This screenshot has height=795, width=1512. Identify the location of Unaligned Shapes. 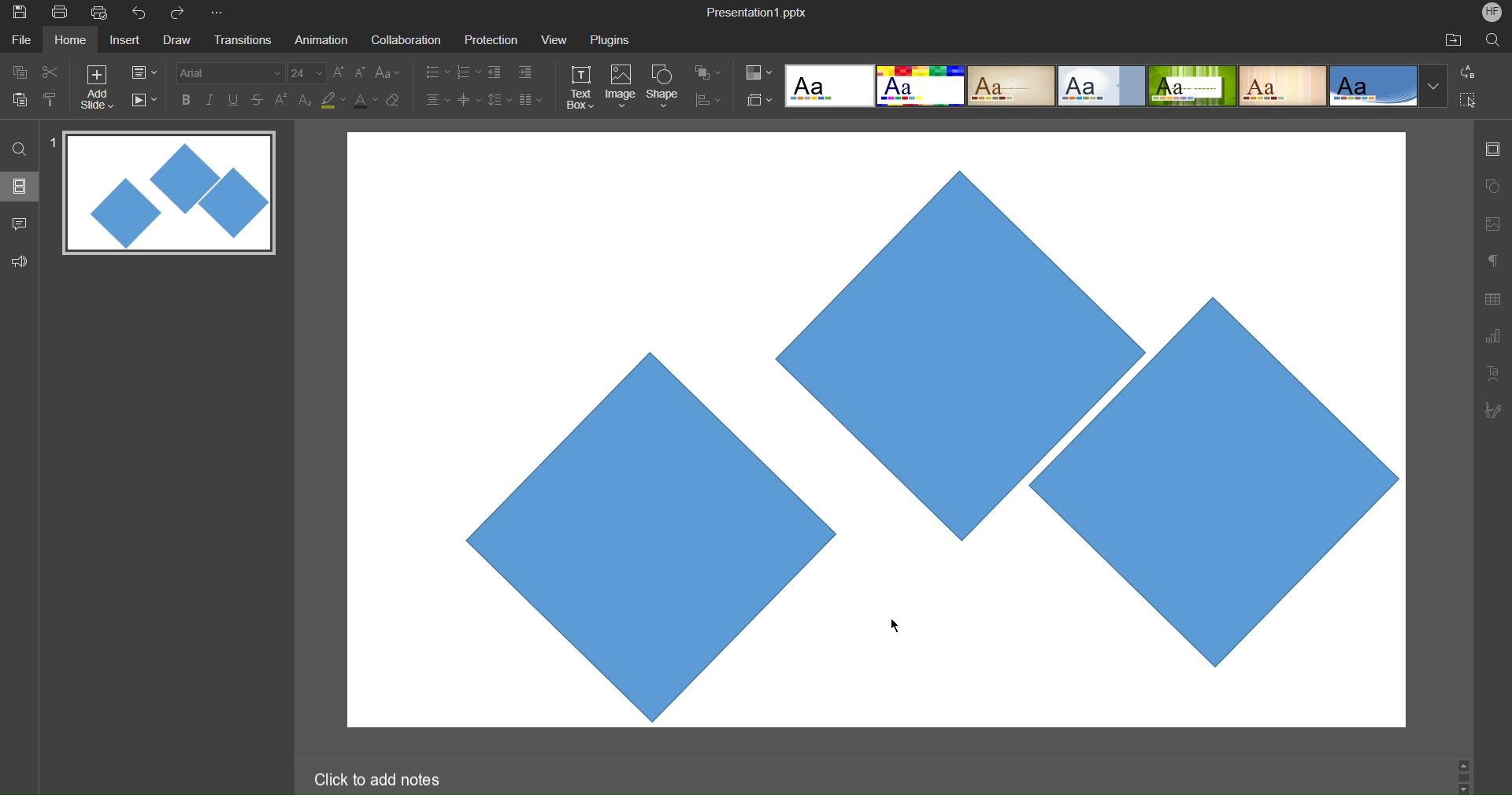
(880, 429).